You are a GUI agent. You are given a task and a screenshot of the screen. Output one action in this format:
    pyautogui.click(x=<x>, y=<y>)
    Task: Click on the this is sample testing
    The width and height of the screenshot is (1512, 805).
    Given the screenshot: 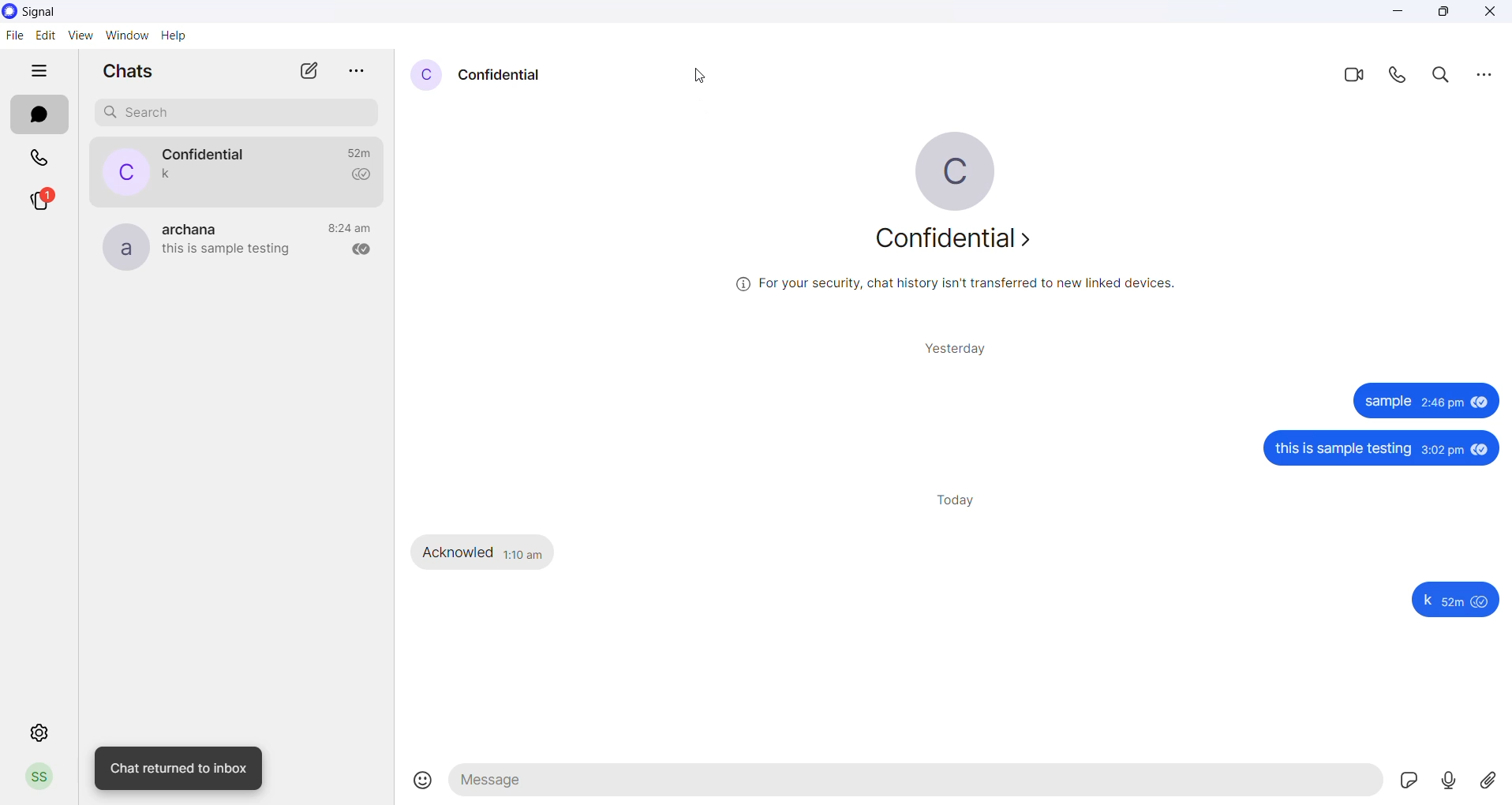 What is the action you would take?
    pyautogui.click(x=1342, y=450)
    